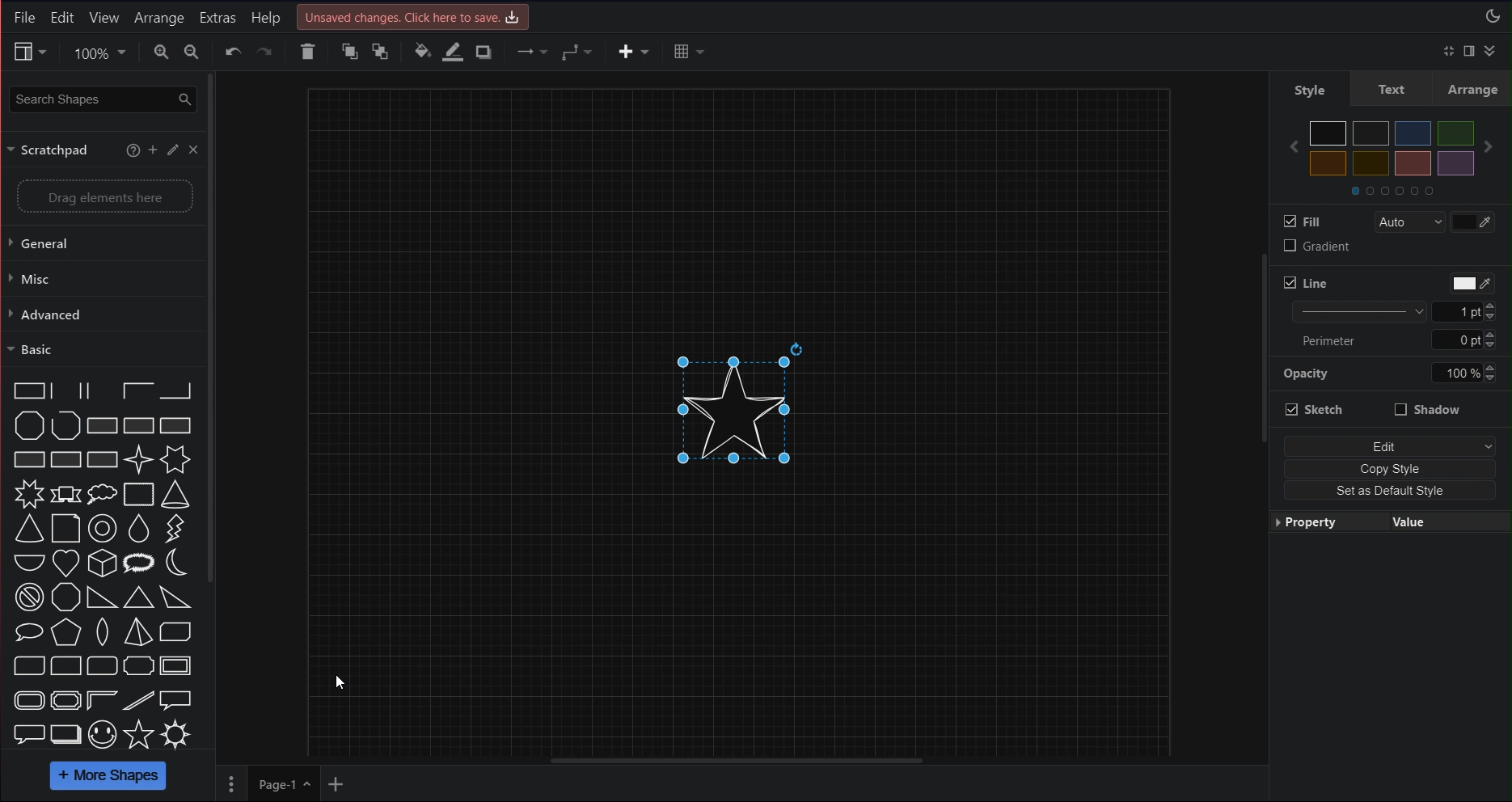 Image resolution: width=1512 pixels, height=802 pixels. I want to click on rectangular callout, so click(176, 700).